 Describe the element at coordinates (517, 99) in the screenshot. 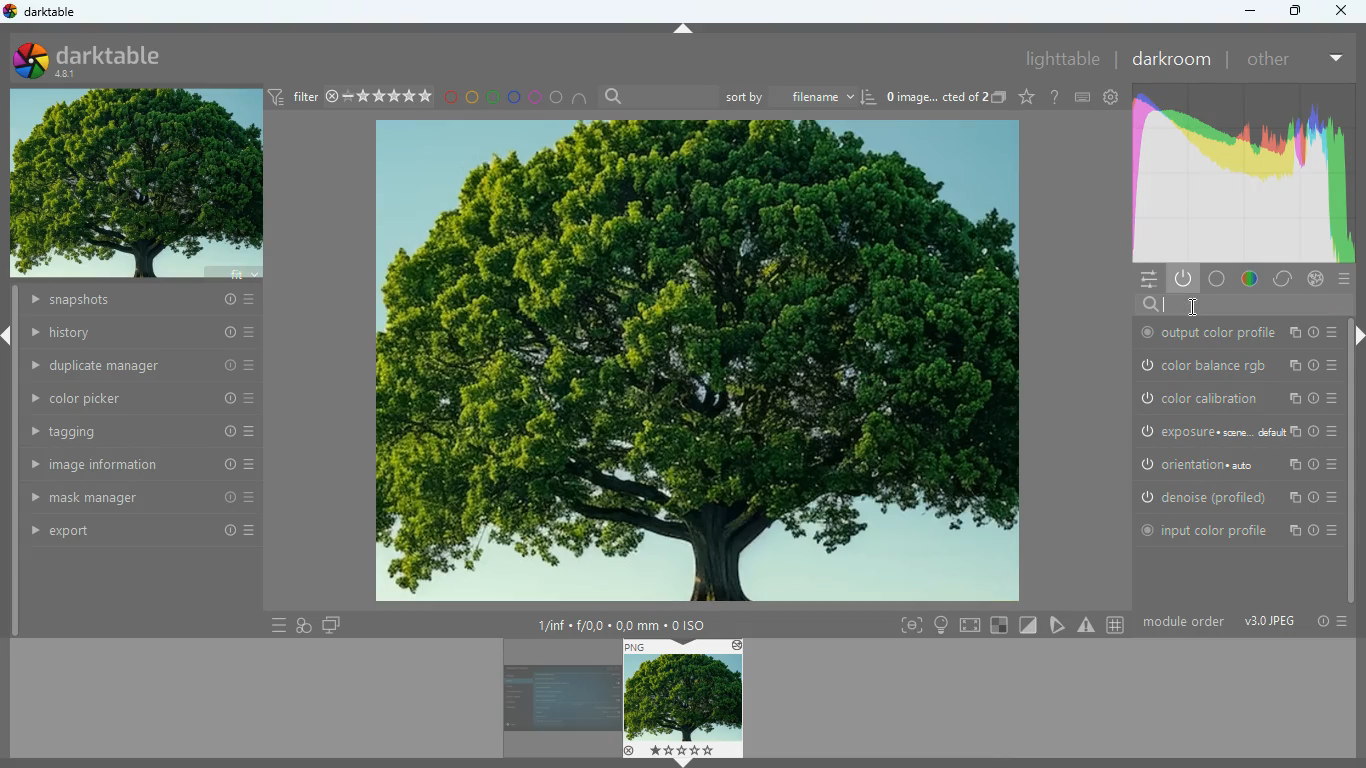

I see `blue` at that location.